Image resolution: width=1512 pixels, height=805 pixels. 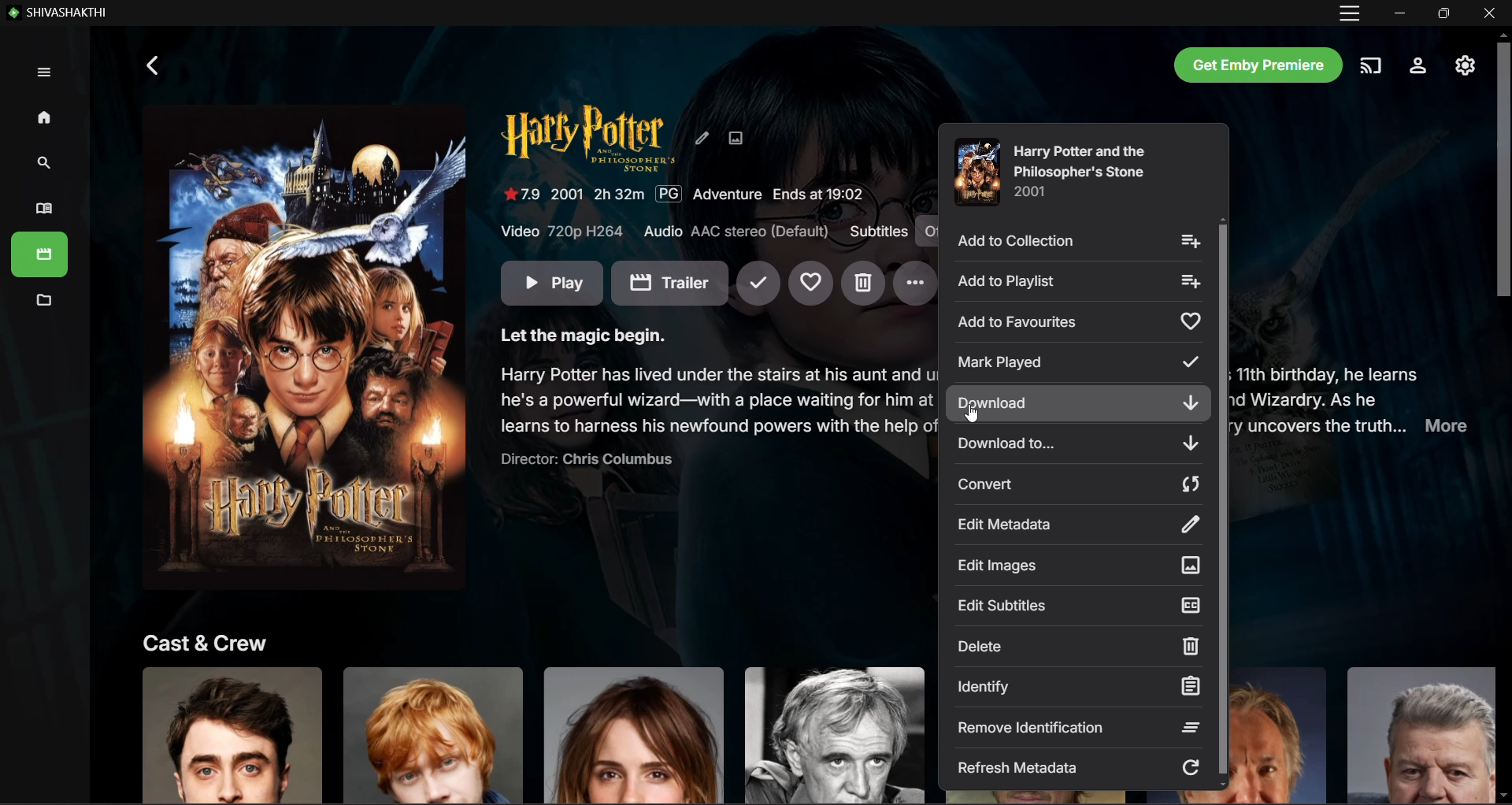 What do you see at coordinates (833, 734) in the screenshot?
I see `Click to know more about actor` at bounding box center [833, 734].